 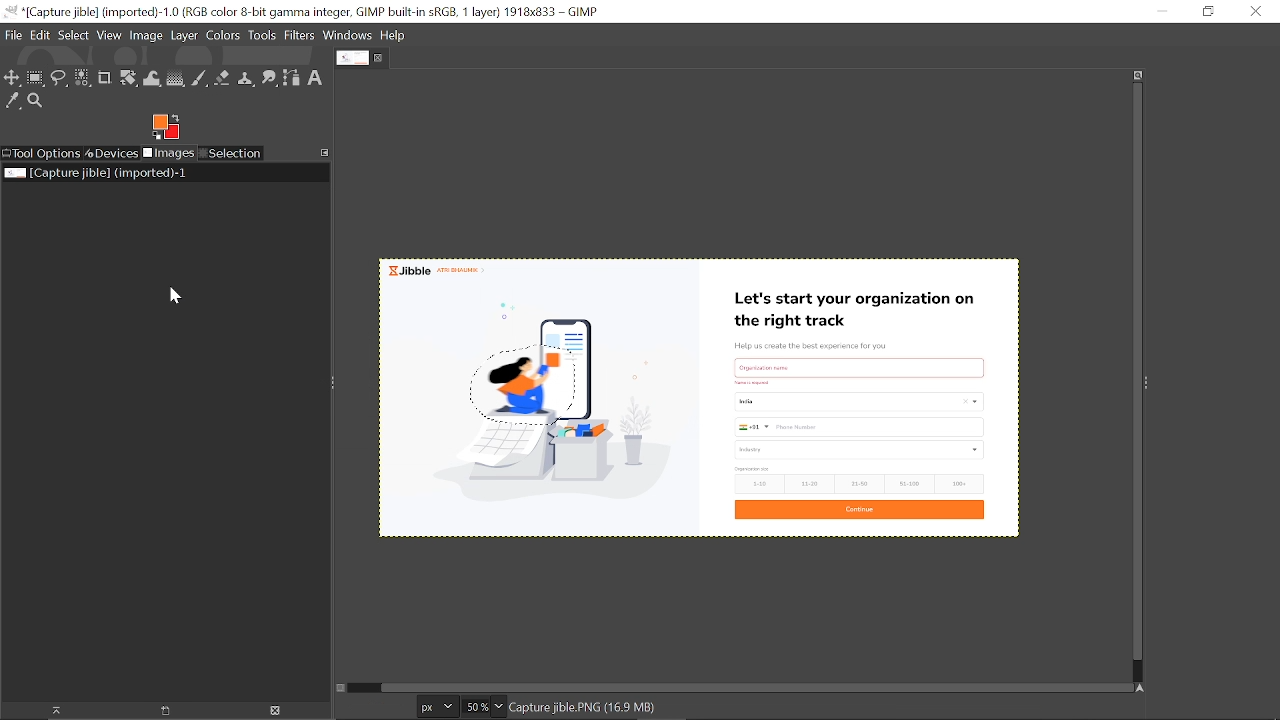 What do you see at coordinates (38, 103) in the screenshot?
I see `Zoom tool` at bounding box center [38, 103].